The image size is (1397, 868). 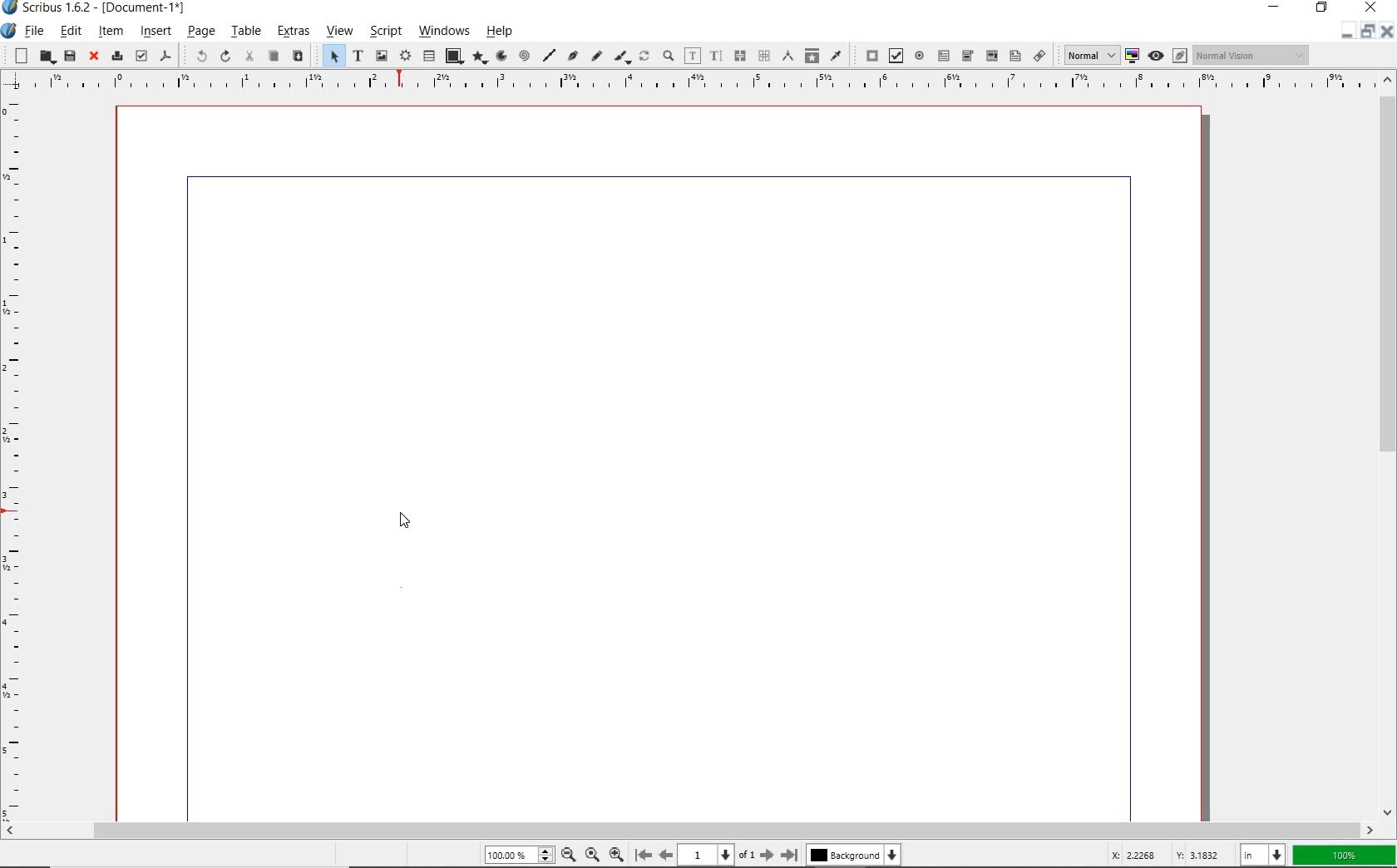 I want to click on Y: 3.1832, so click(x=1200, y=855).